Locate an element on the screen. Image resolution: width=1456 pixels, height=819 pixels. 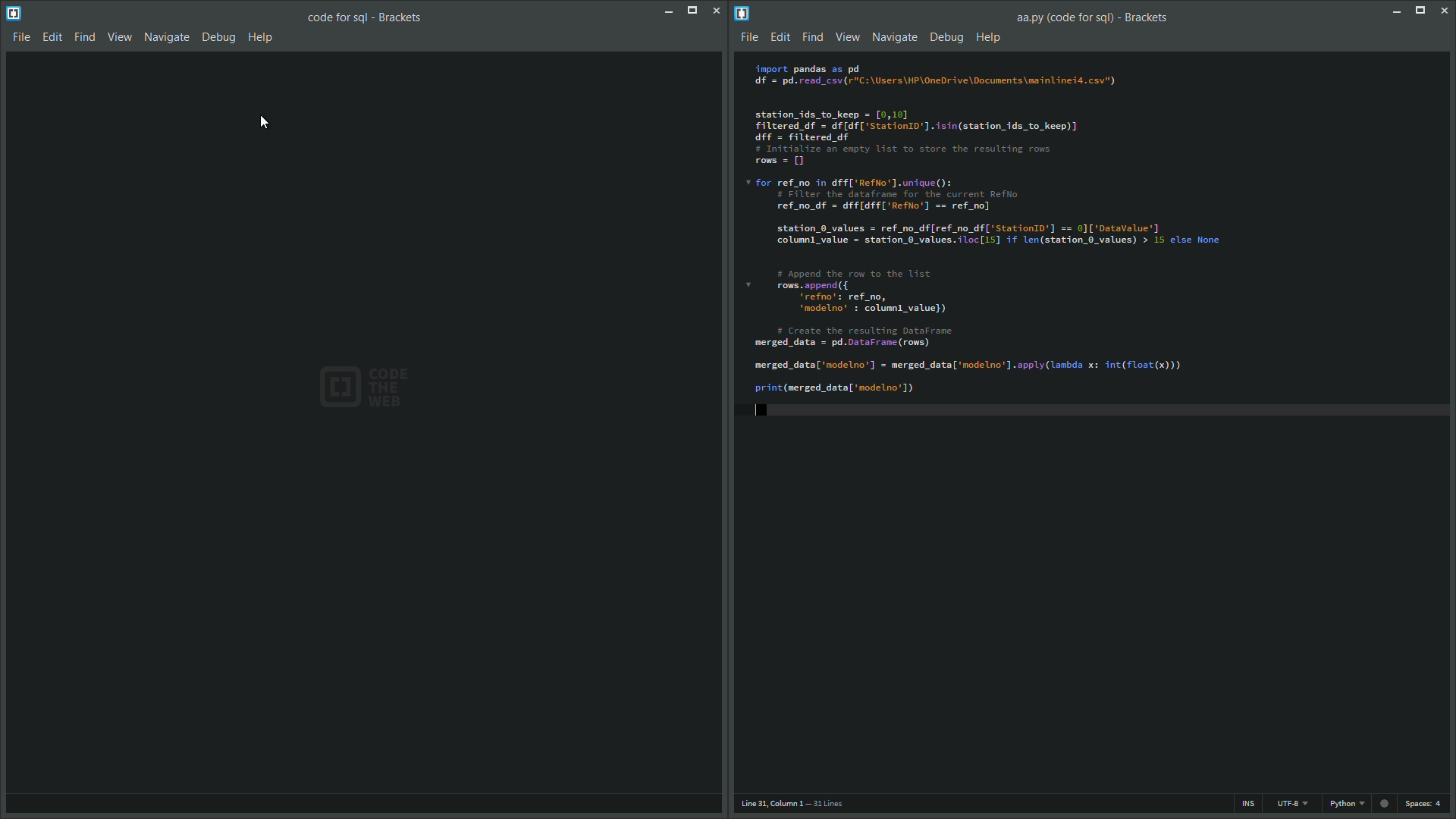
bracket window is located at coordinates (362, 433).